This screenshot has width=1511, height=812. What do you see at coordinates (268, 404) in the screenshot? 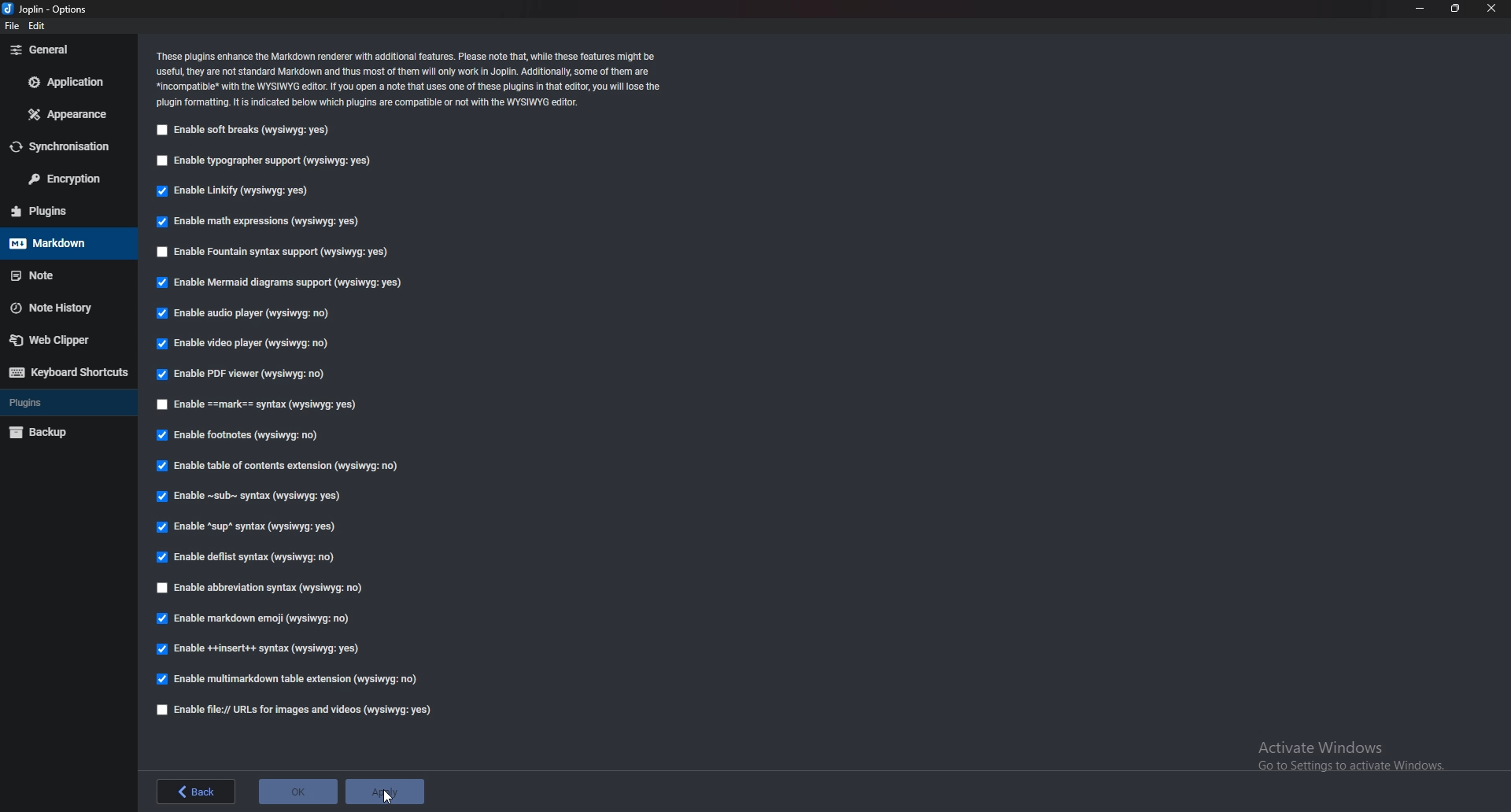
I see `enable Mark Syntax` at bounding box center [268, 404].